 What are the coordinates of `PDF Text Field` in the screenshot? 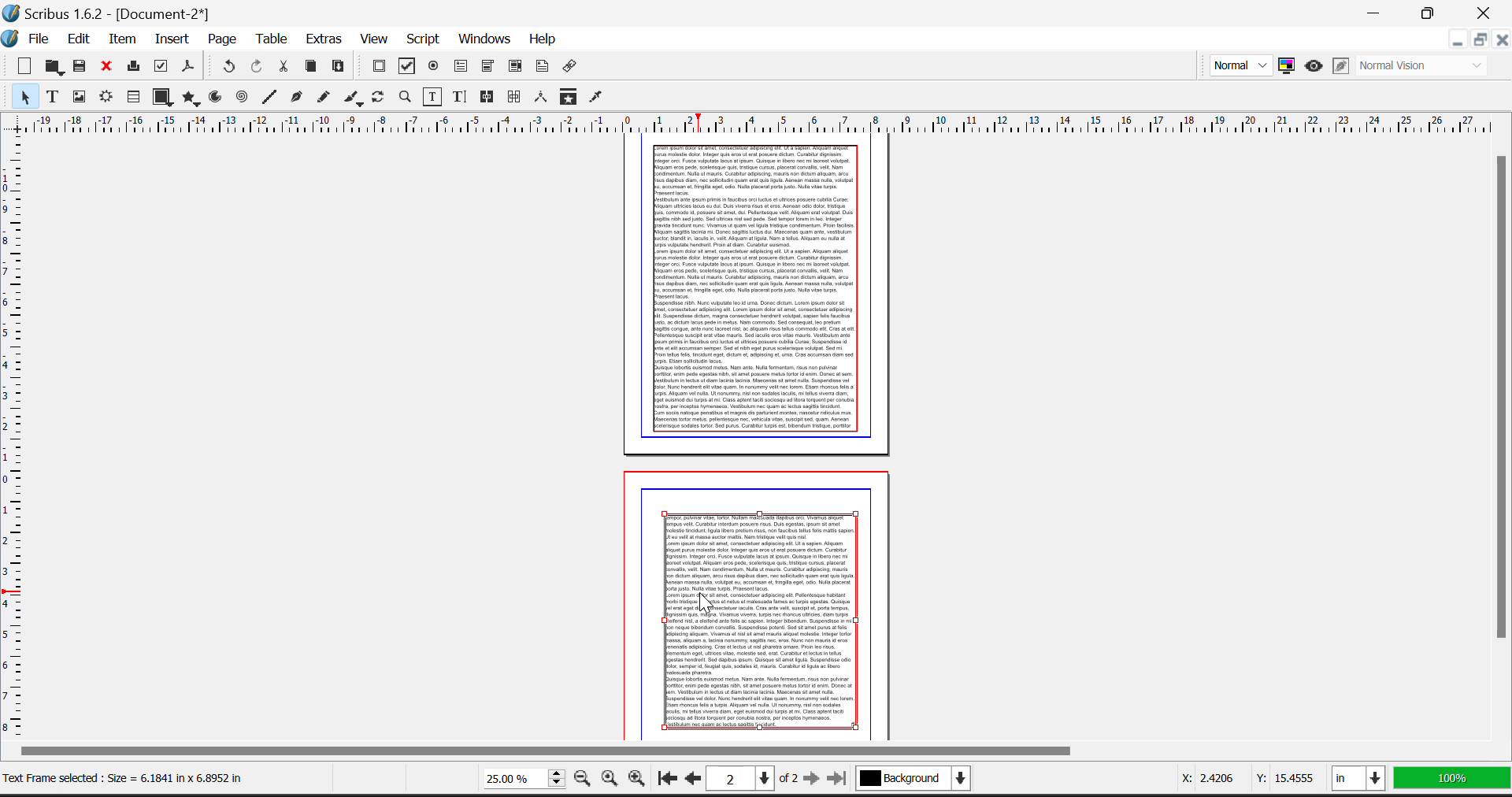 It's located at (462, 67).